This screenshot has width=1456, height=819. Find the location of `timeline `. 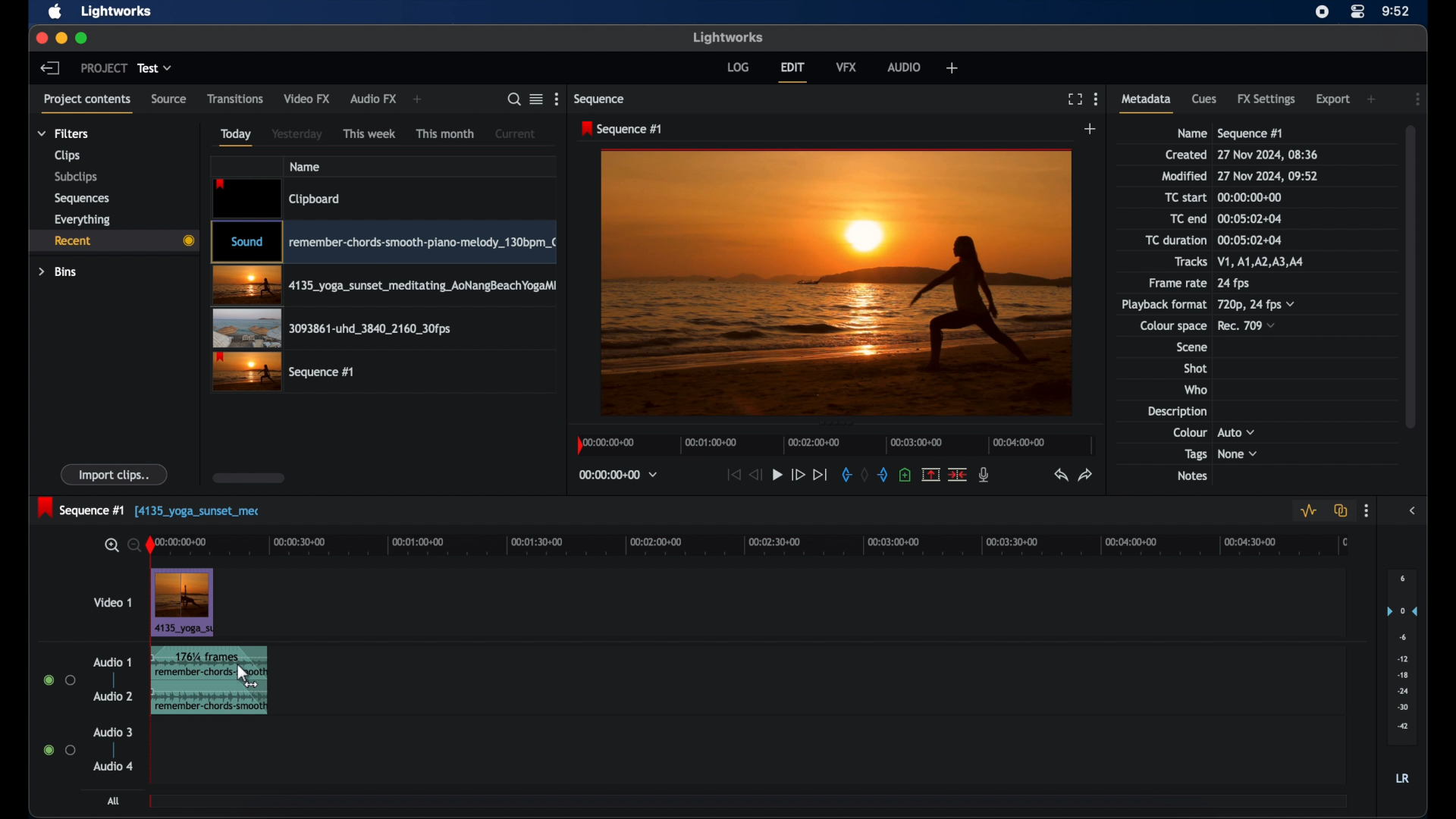

timeline  is located at coordinates (759, 546).